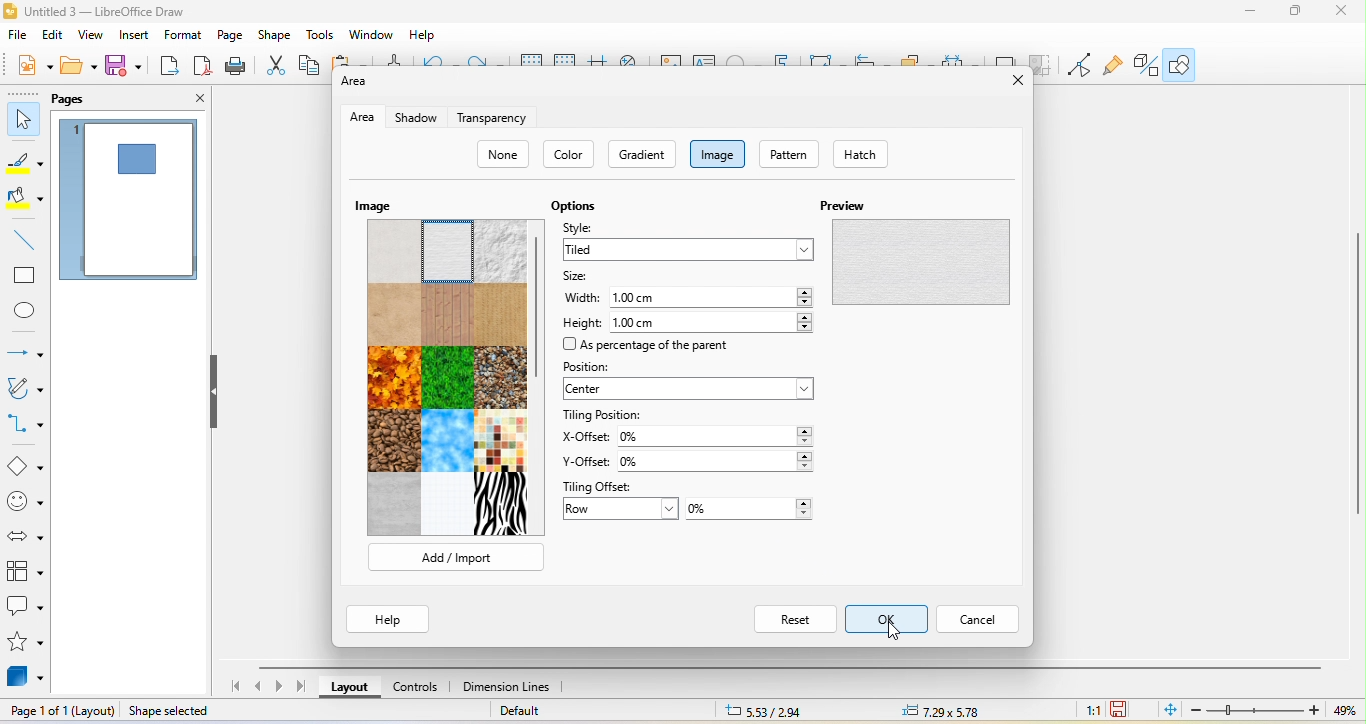 Image resolution: width=1366 pixels, height=724 pixels. What do you see at coordinates (583, 321) in the screenshot?
I see `height` at bounding box center [583, 321].